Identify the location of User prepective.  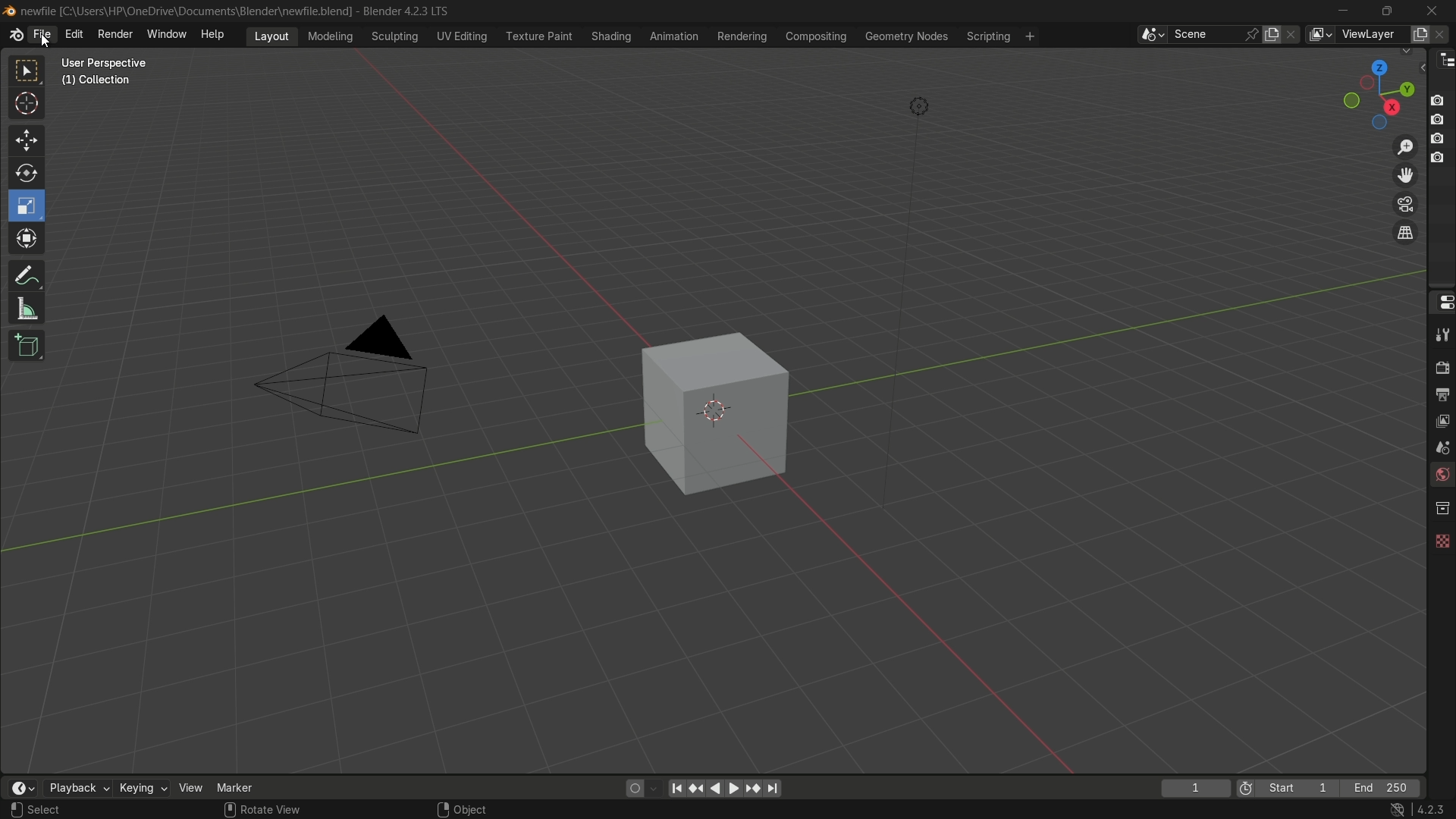
(111, 63).